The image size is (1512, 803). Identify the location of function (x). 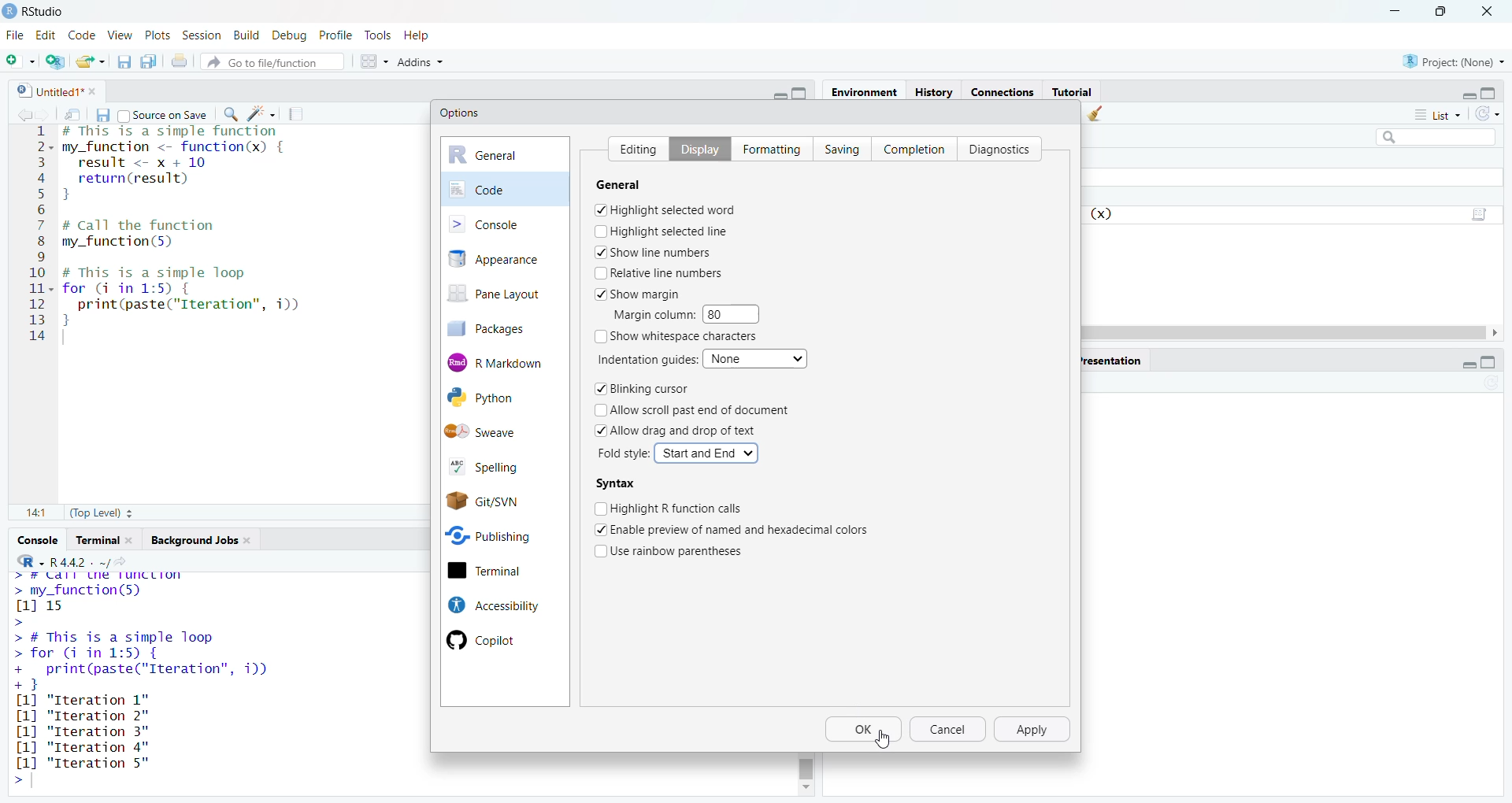
(1103, 214).